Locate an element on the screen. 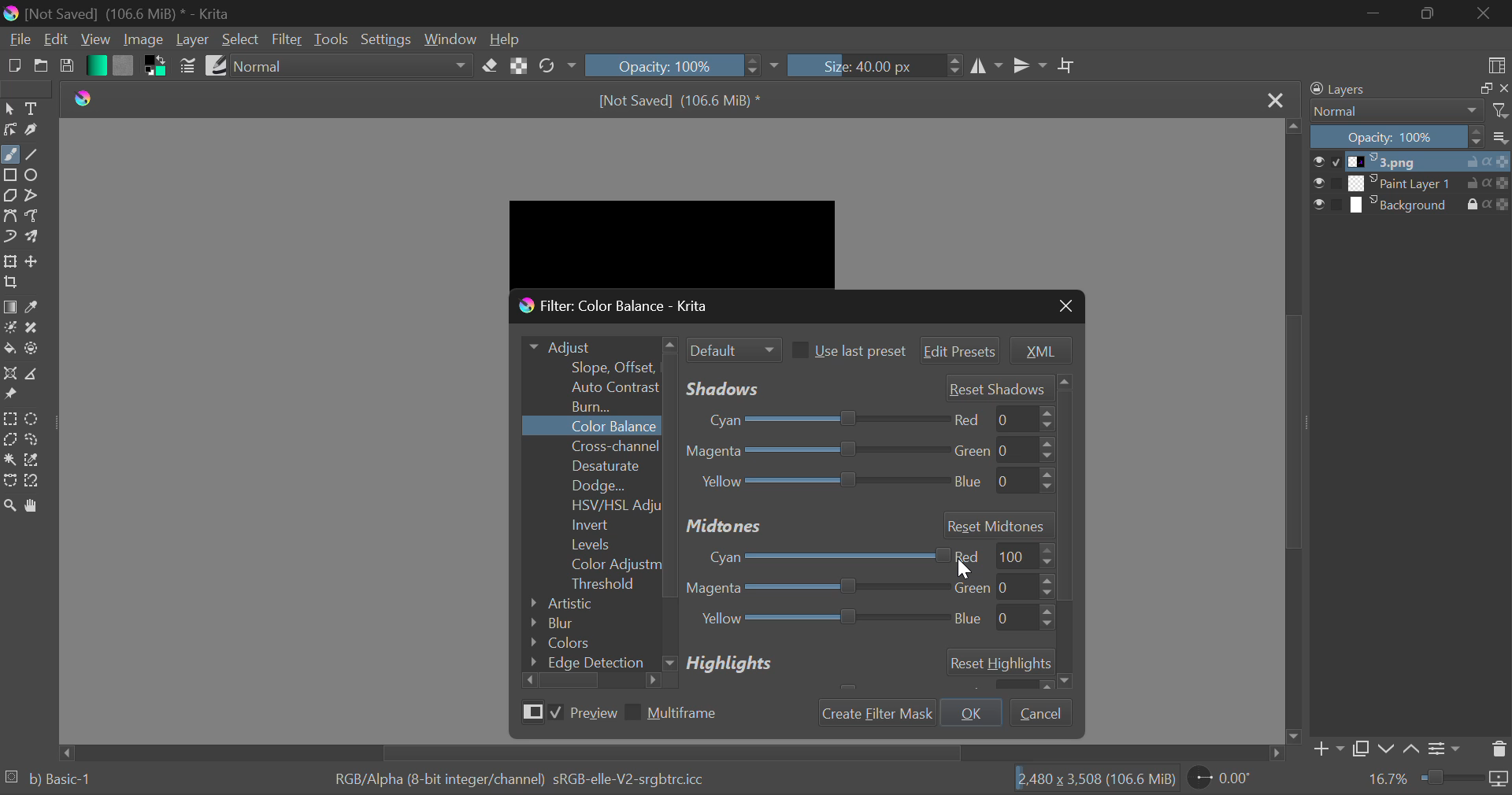  blue is located at coordinates (1001, 482).